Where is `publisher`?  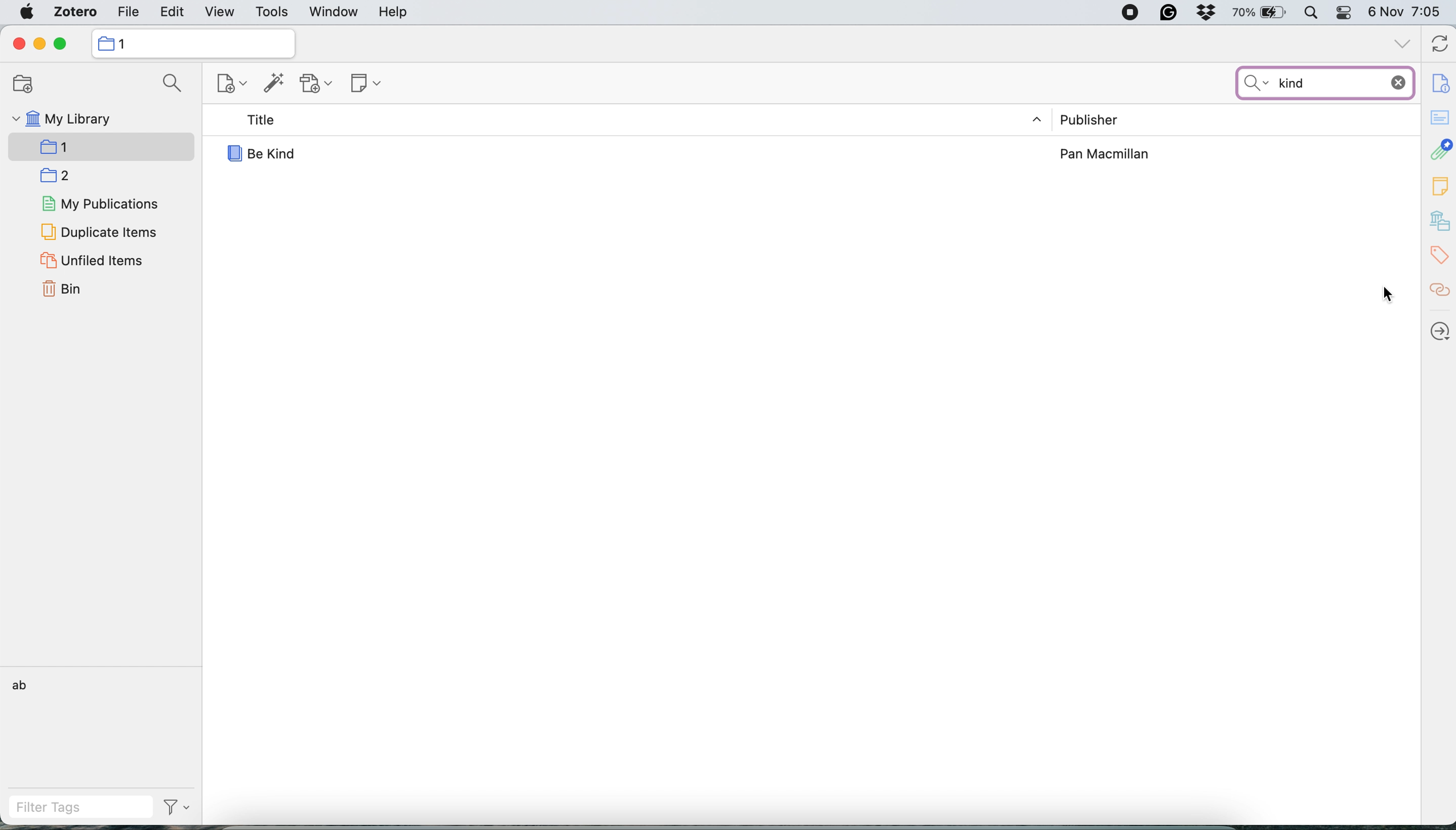 publisher is located at coordinates (1088, 119).